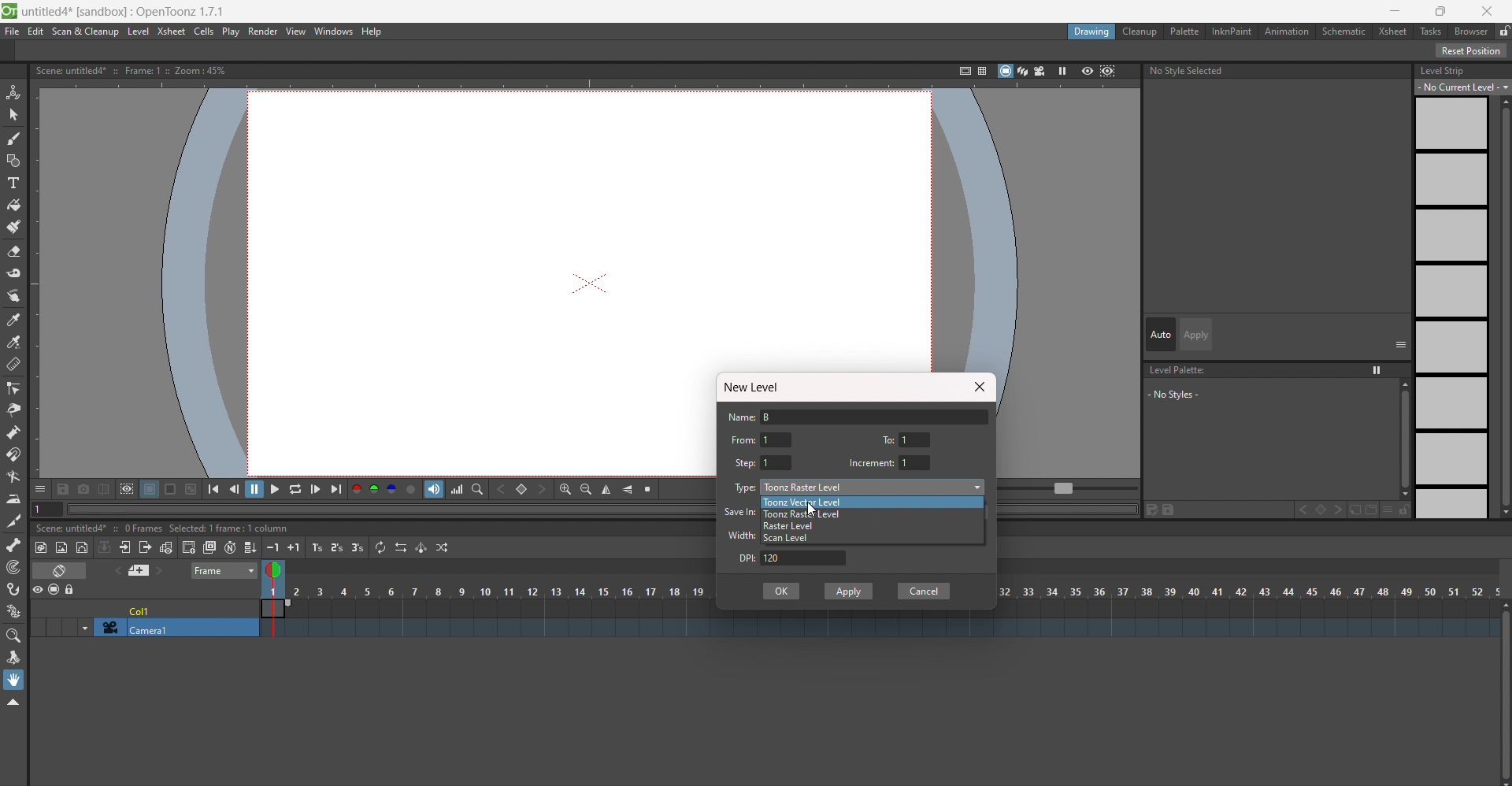  What do you see at coordinates (1288, 32) in the screenshot?
I see `animation` at bounding box center [1288, 32].